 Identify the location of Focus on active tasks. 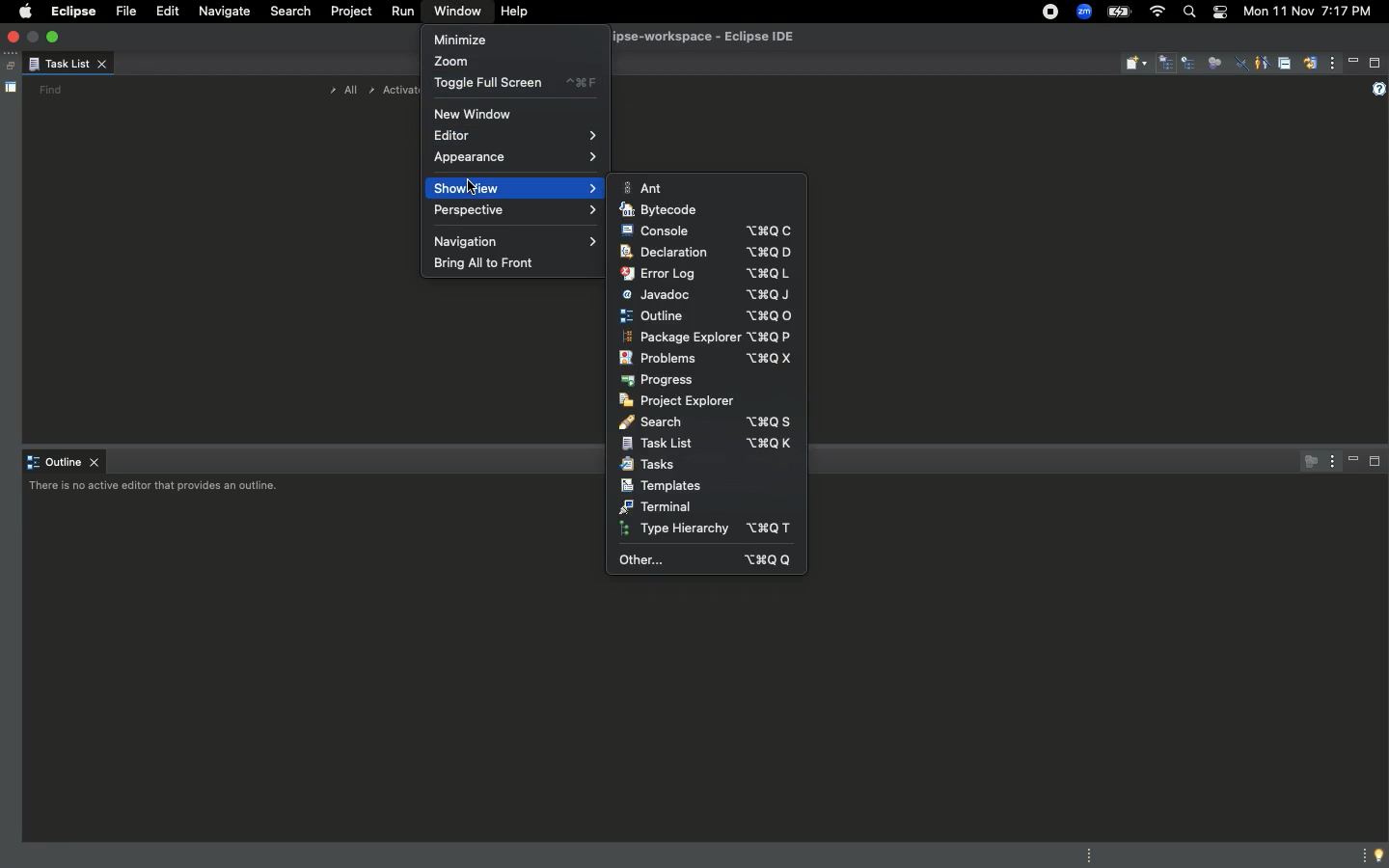
(1306, 461).